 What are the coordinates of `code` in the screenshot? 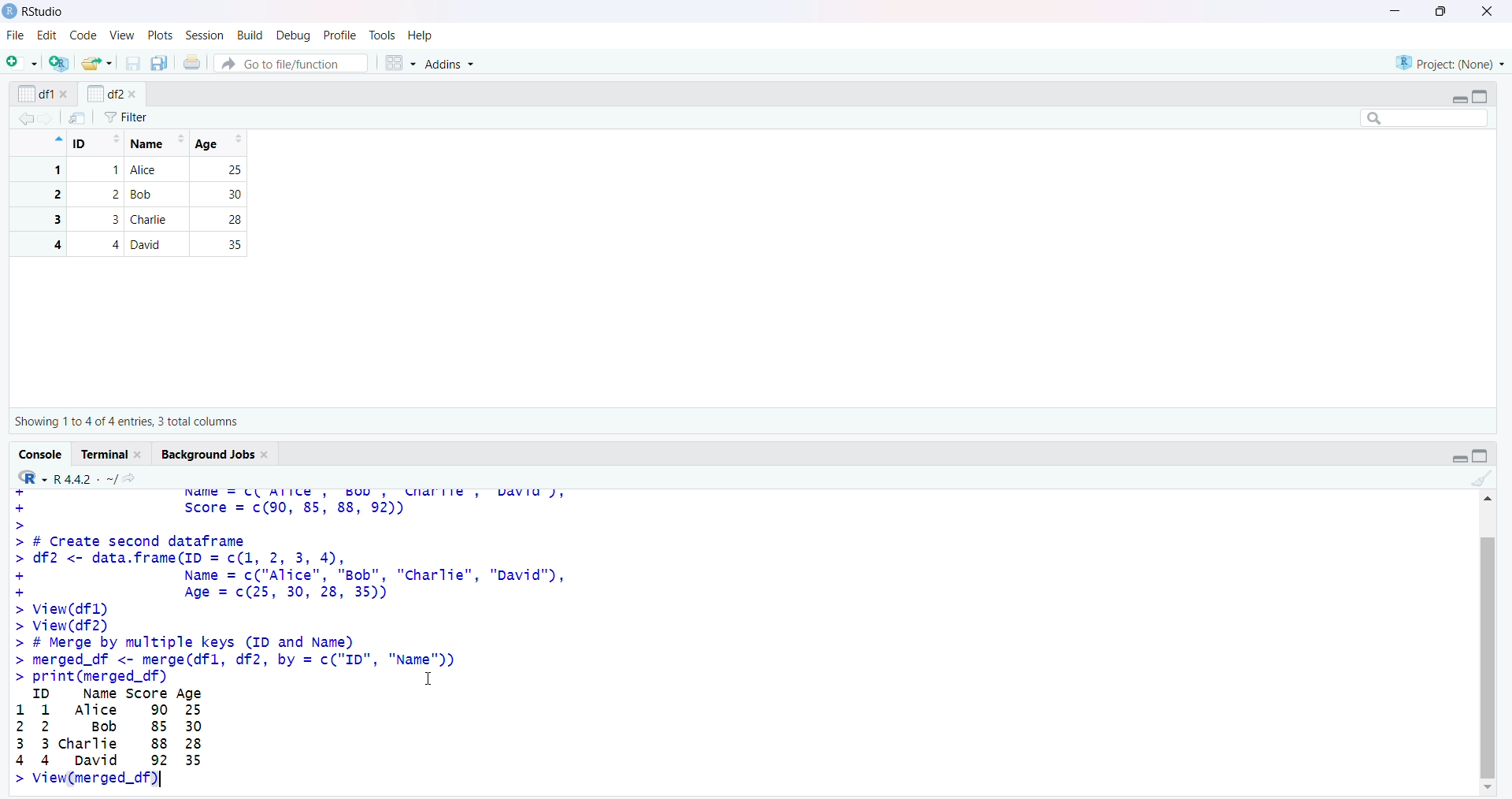 It's located at (84, 35).